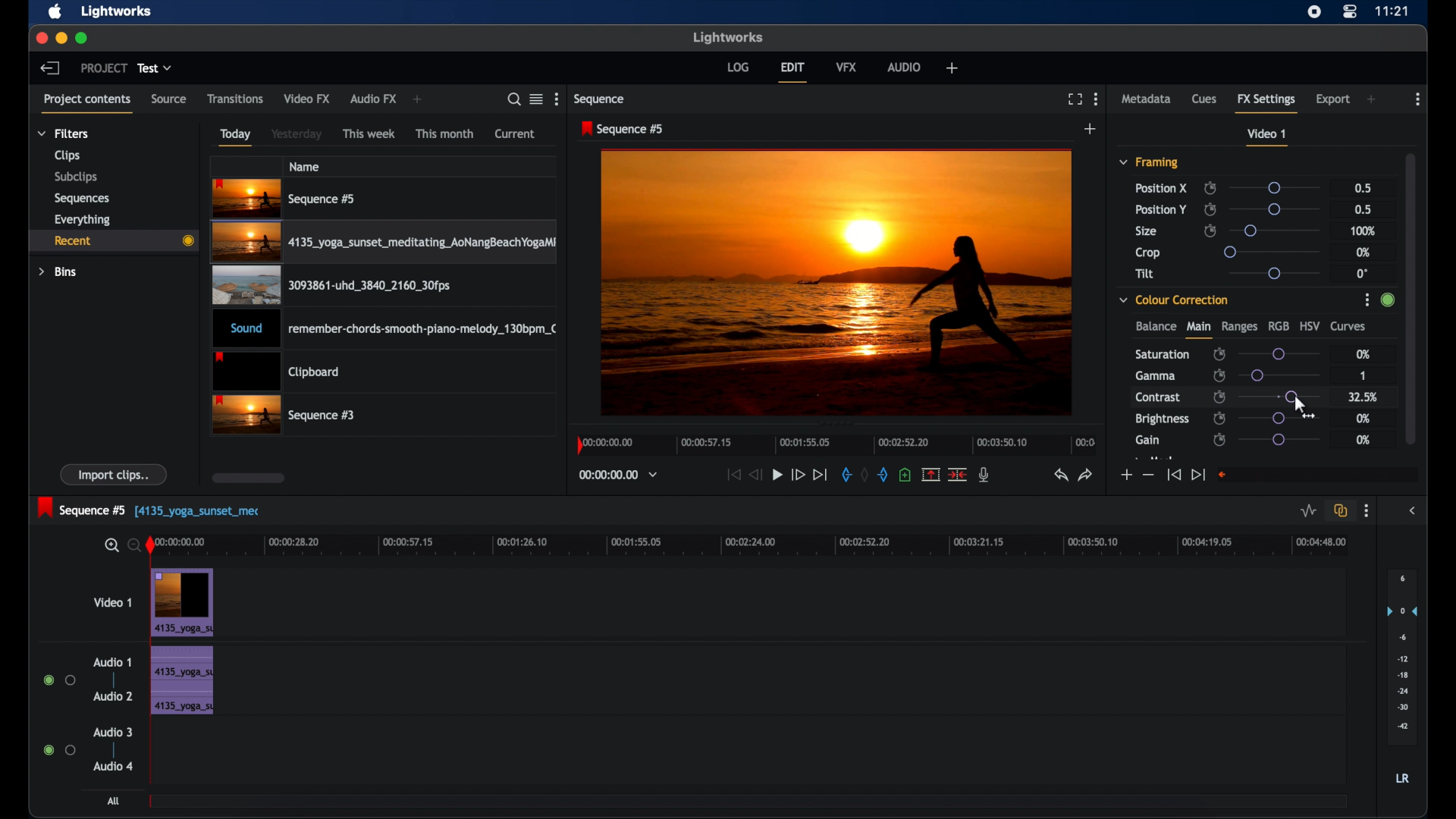 The image size is (1456, 819). What do you see at coordinates (285, 199) in the screenshot?
I see `videoclip` at bounding box center [285, 199].